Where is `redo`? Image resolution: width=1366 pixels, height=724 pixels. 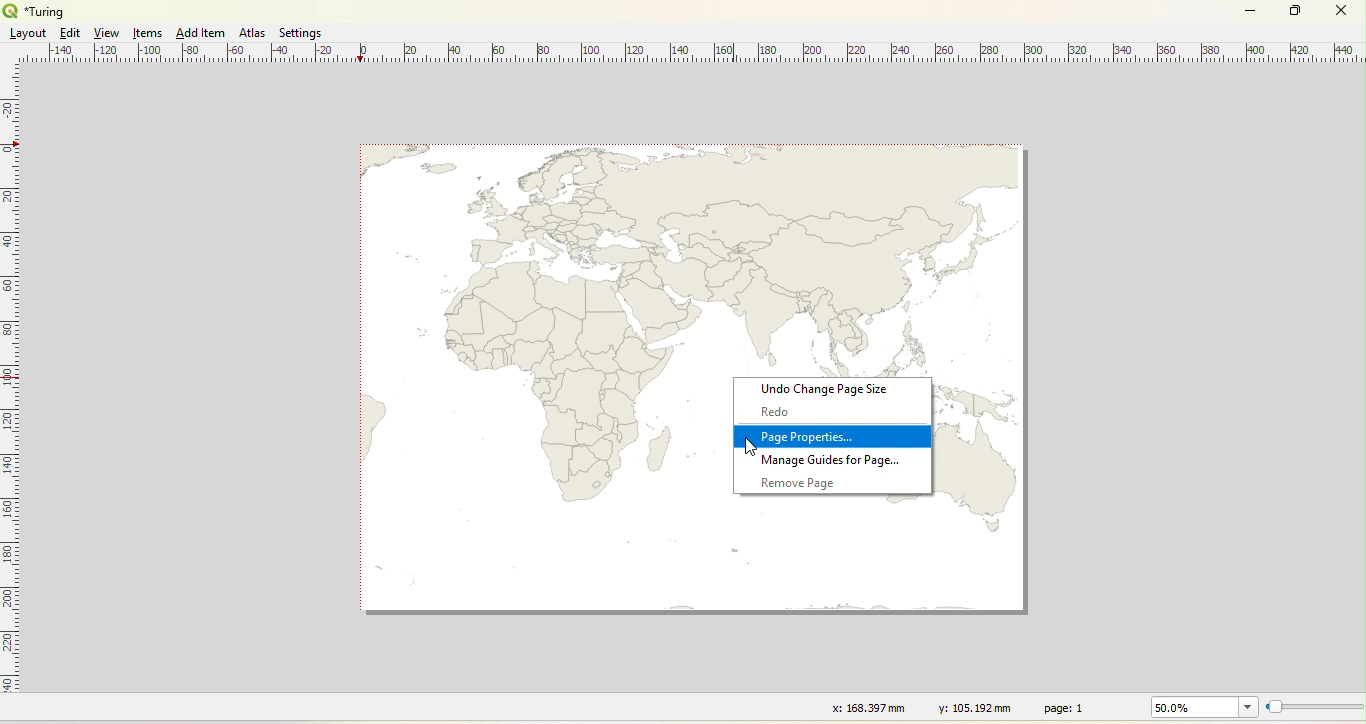 redo is located at coordinates (776, 411).